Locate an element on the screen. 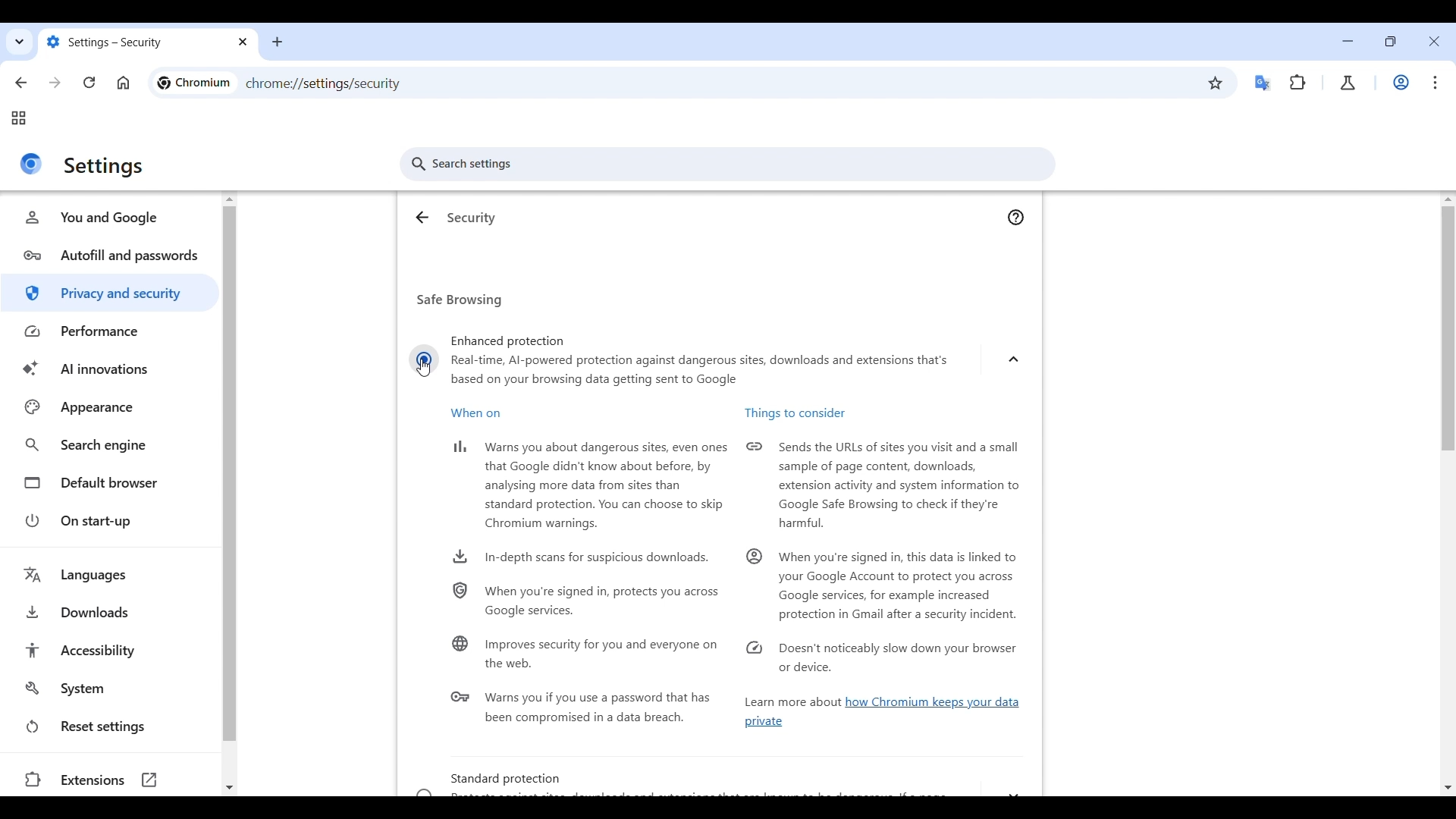 Image resolution: width=1456 pixels, height=819 pixels. Google translator extension is located at coordinates (1263, 83).